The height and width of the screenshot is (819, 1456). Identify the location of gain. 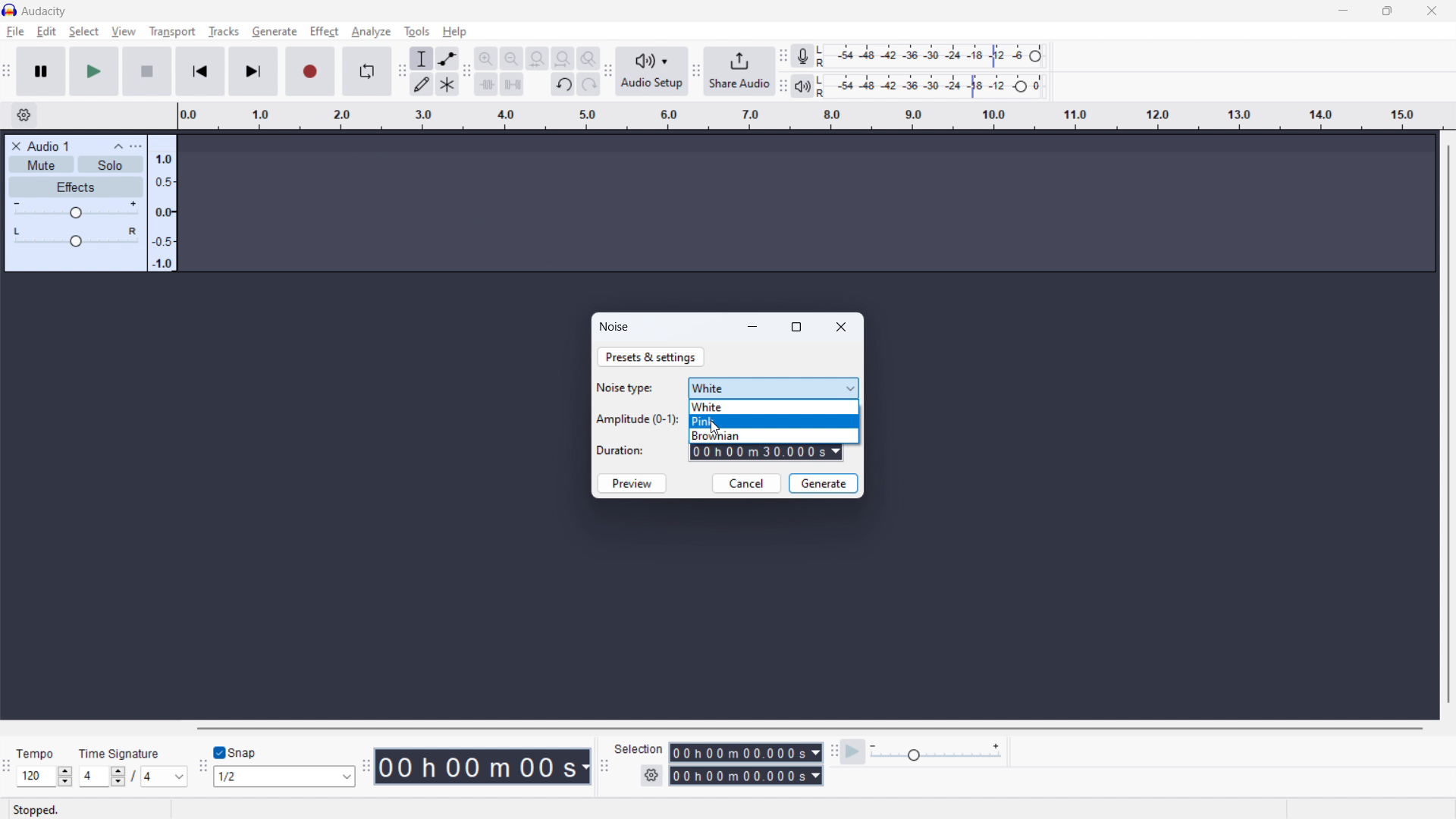
(75, 210).